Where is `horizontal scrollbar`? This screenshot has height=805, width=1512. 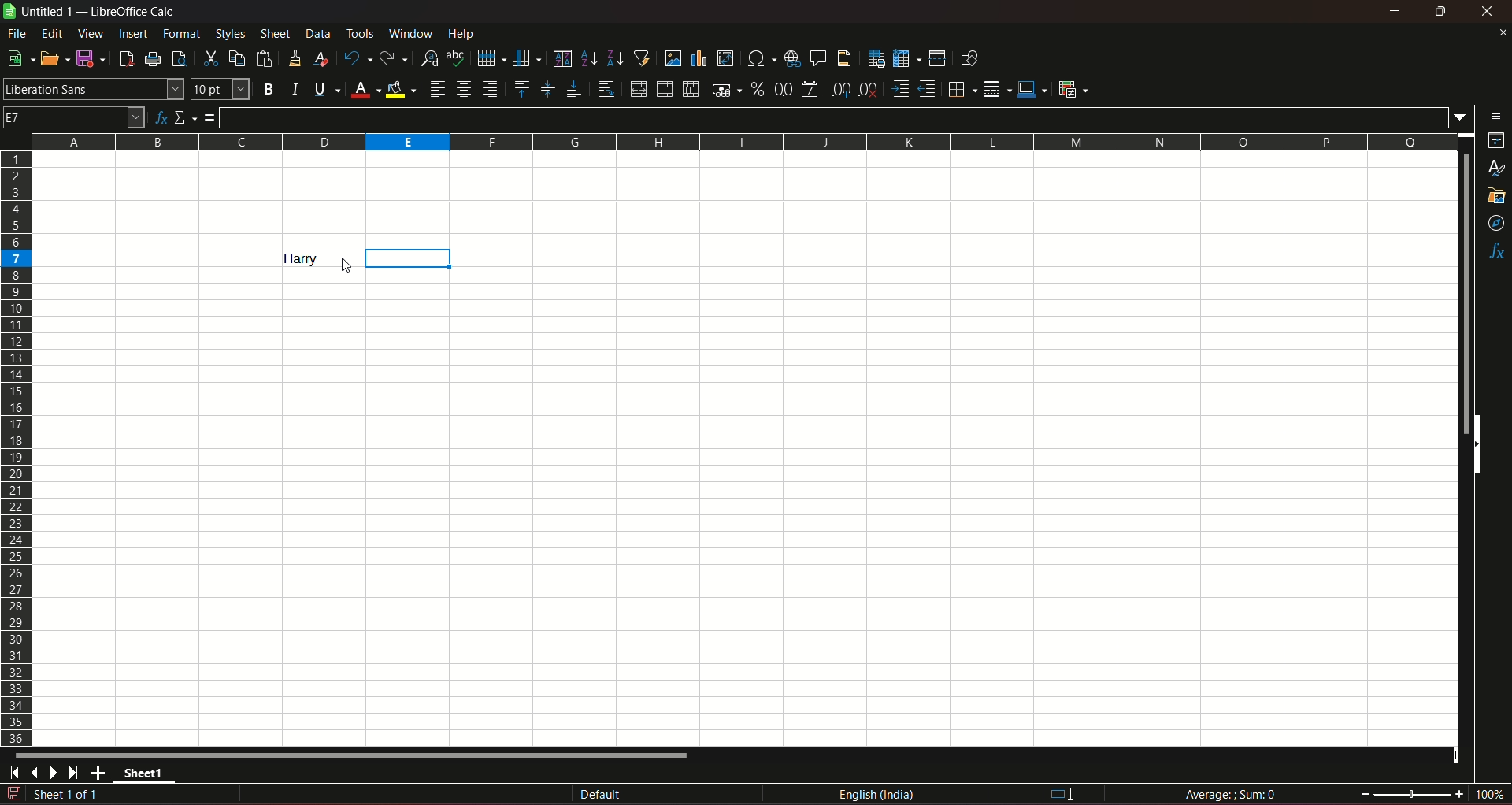 horizontal scrollbar is located at coordinates (353, 755).